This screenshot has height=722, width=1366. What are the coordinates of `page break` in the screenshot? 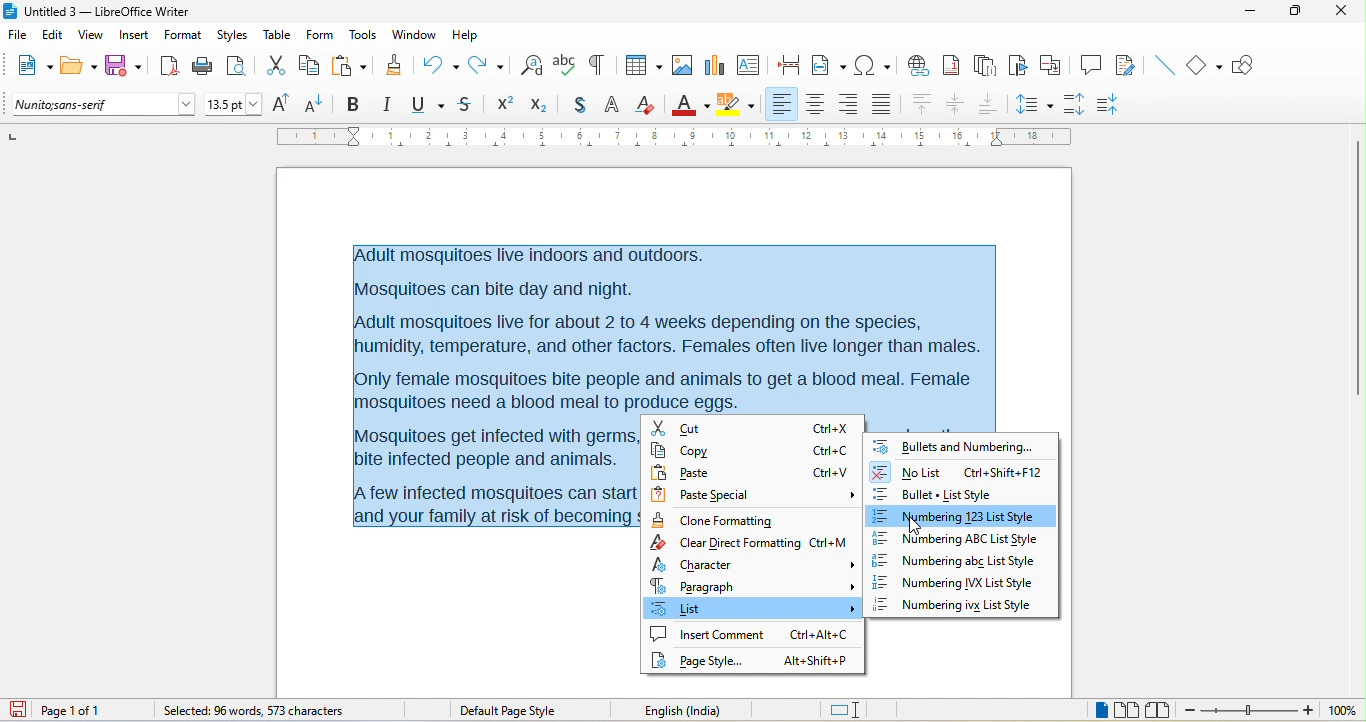 It's located at (792, 67).